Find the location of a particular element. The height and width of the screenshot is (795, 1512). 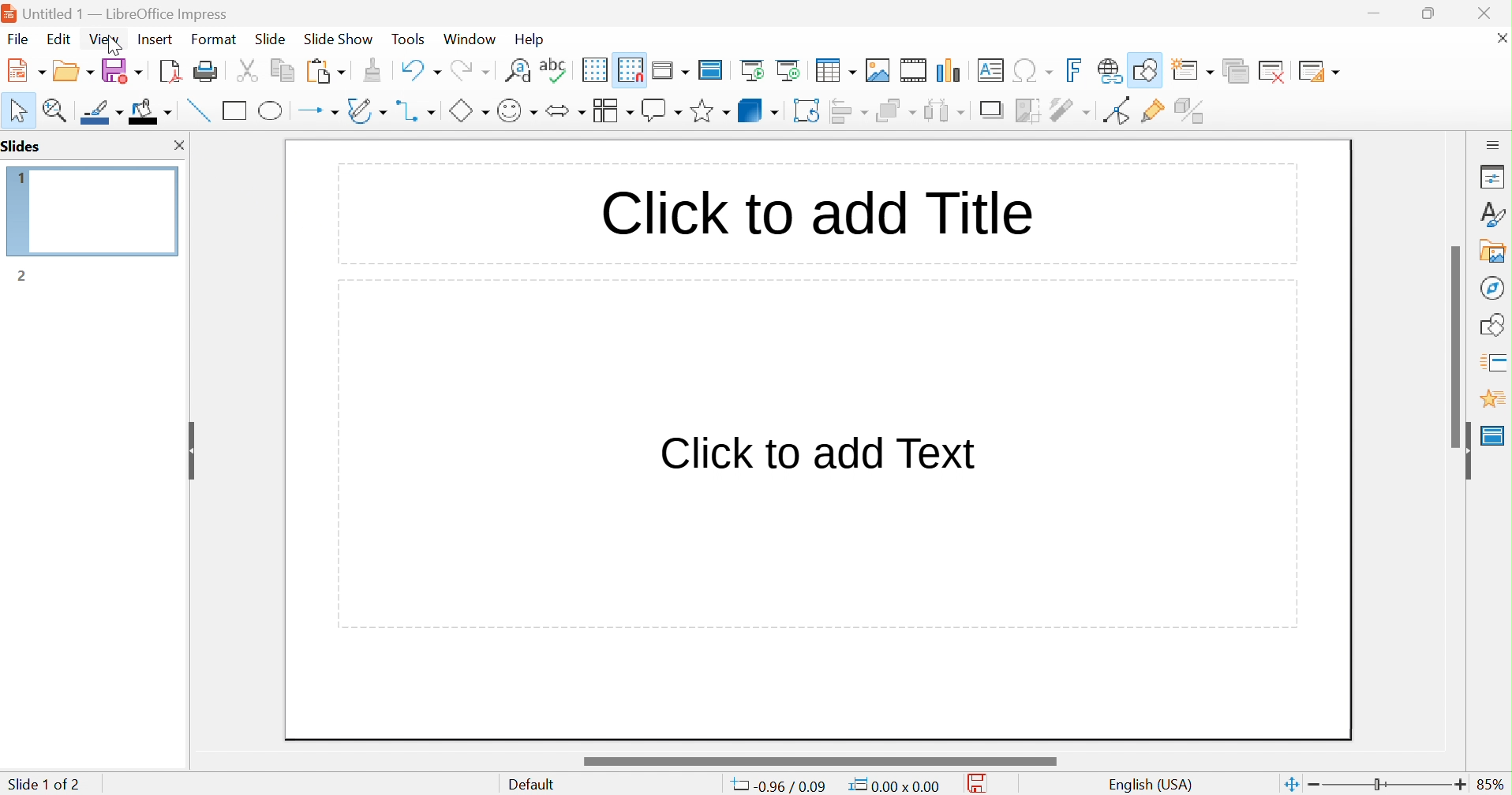

master slide is located at coordinates (1493, 435).